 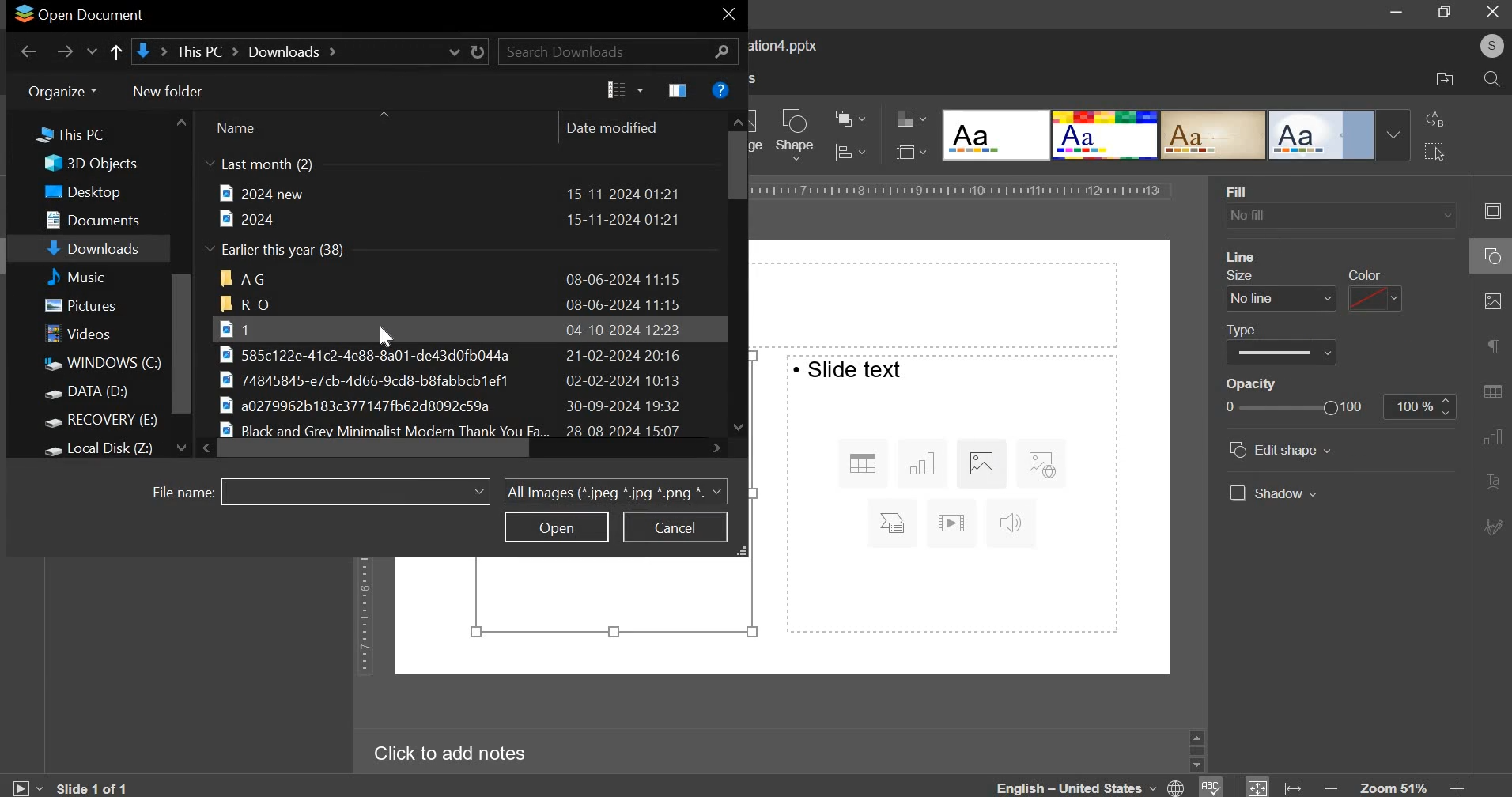 What do you see at coordinates (461, 406) in the screenshot?
I see `image file` at bounding box center [461, 406].